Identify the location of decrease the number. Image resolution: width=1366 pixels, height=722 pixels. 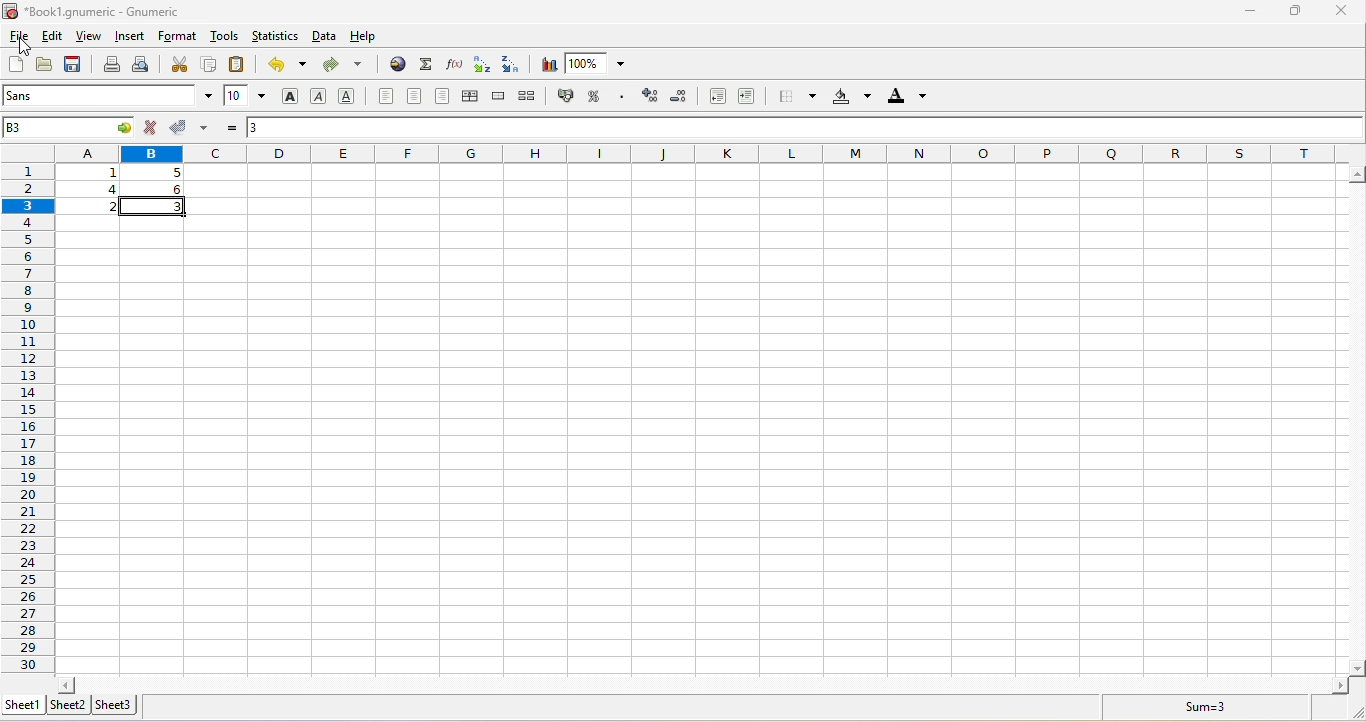
(681, 98).